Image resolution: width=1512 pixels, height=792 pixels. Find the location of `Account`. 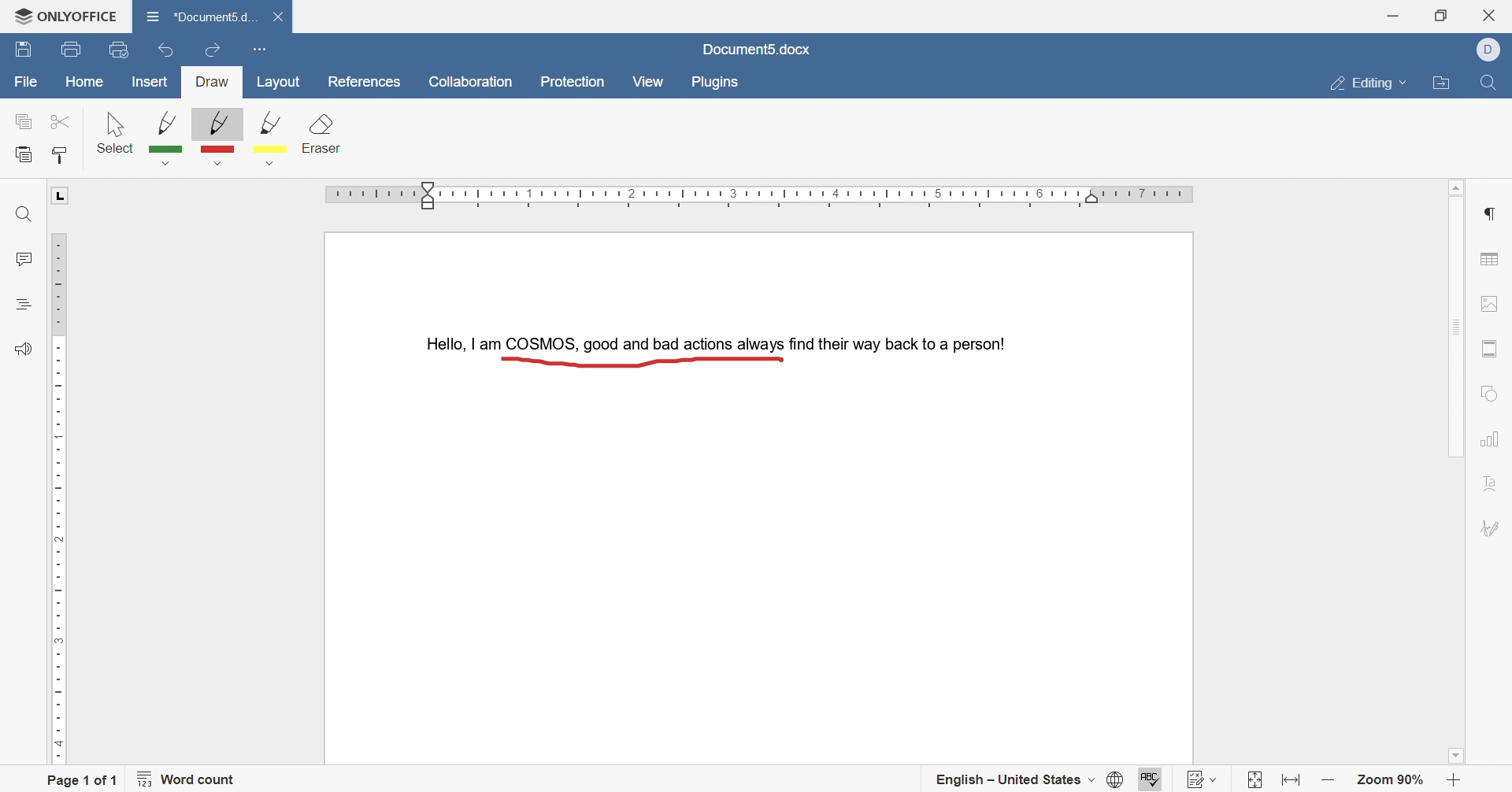

Account is located at coordinates (1493, 50).